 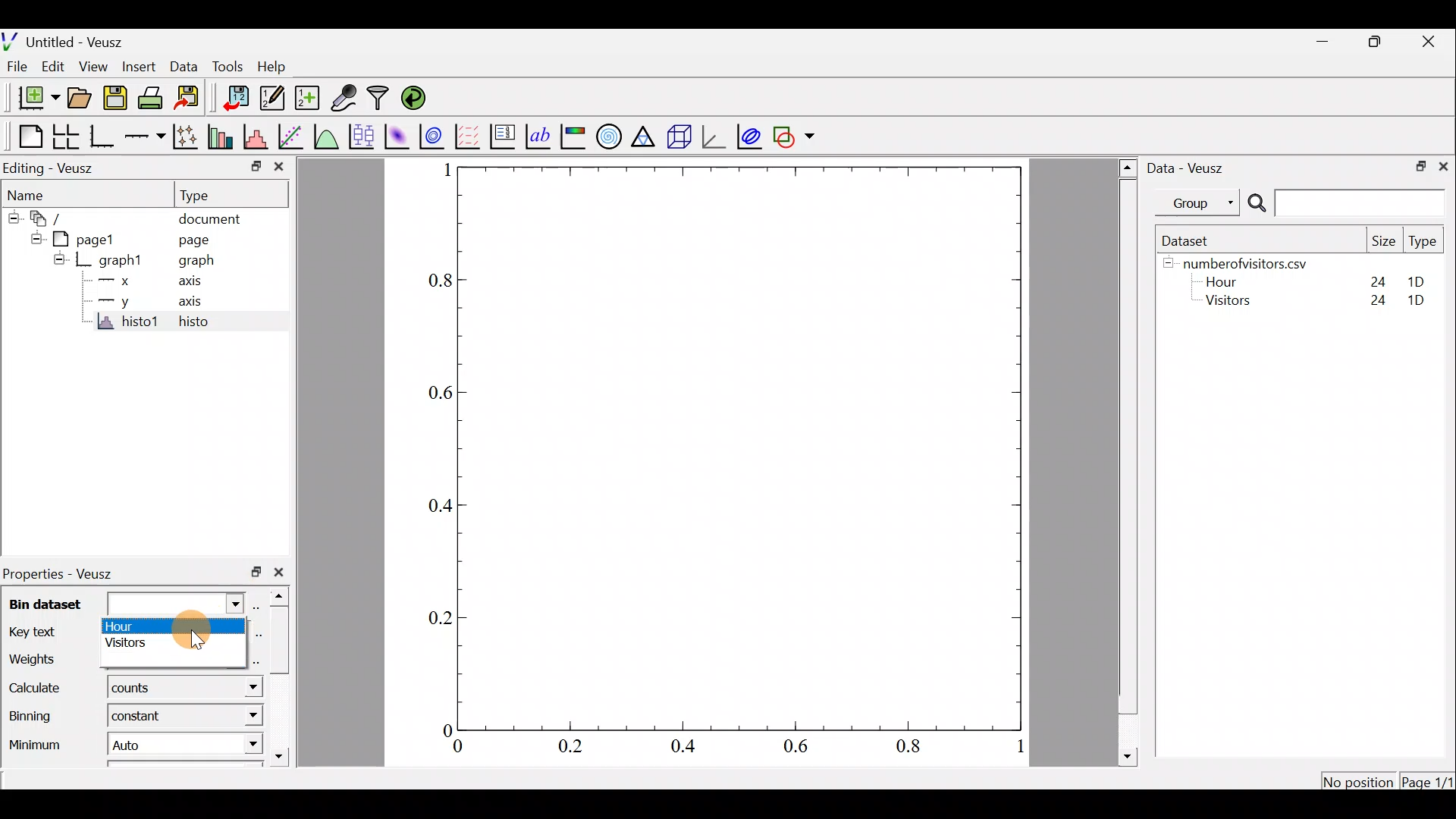 What do you see at coordinates (1195, 171) in the screenshot?
I see `Data - Veusz` at bounding box center [1195, 171].